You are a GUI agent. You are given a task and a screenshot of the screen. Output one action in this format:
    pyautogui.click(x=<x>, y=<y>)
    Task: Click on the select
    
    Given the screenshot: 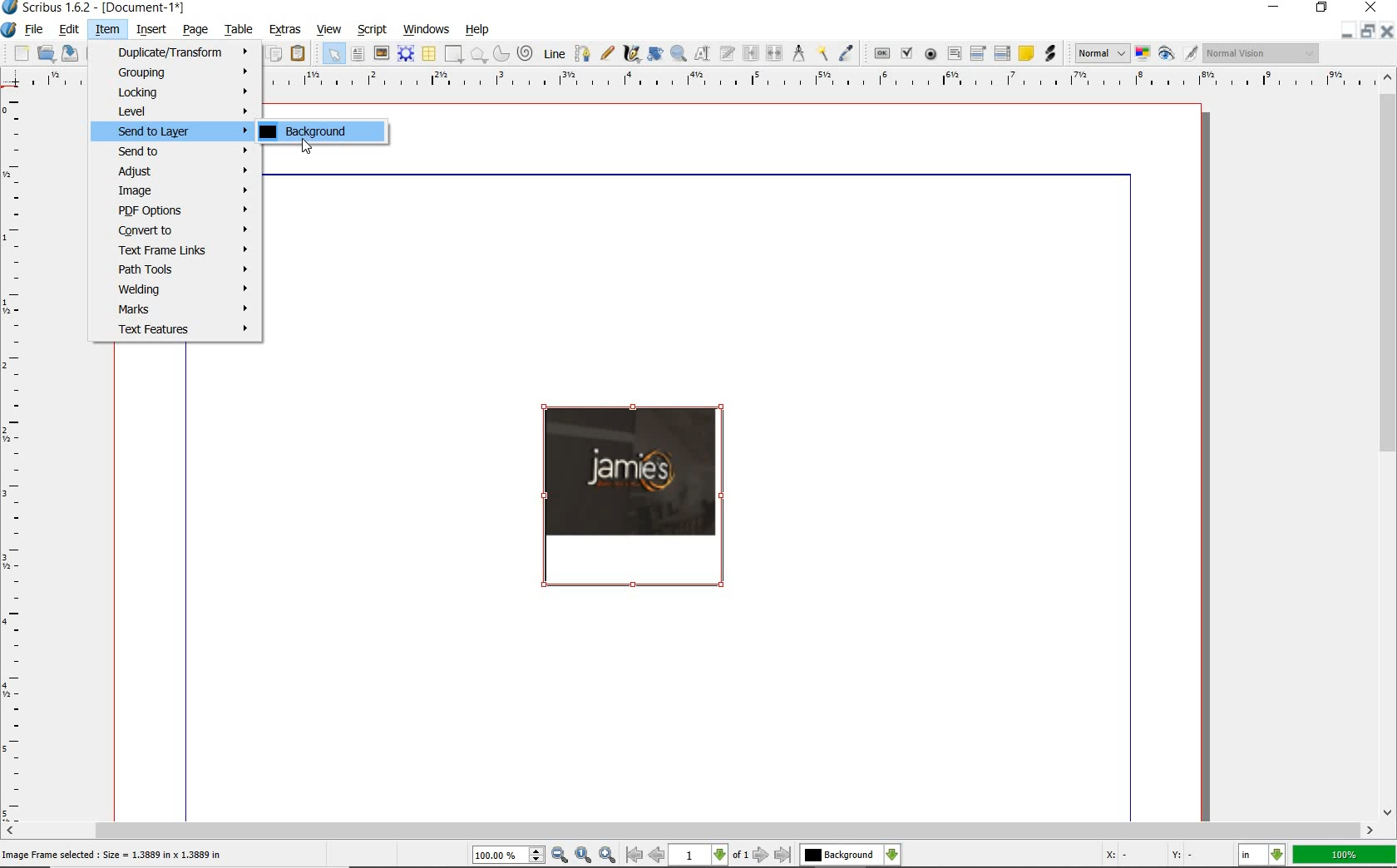 What is the action you would take?
    pyautogui.click(x=333, y=54)
    